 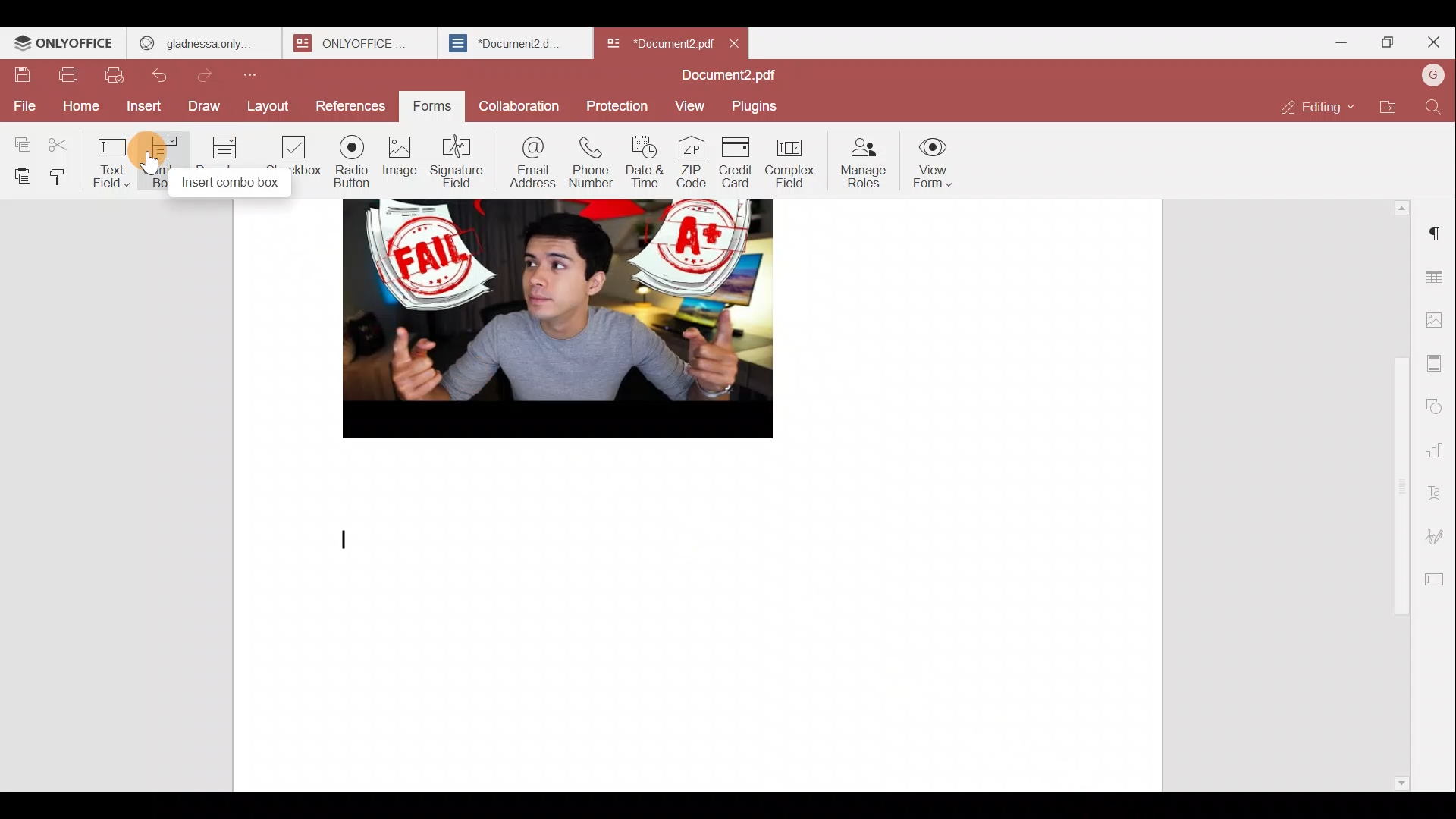 I want to click on Draw, so click(x=206, y=107).